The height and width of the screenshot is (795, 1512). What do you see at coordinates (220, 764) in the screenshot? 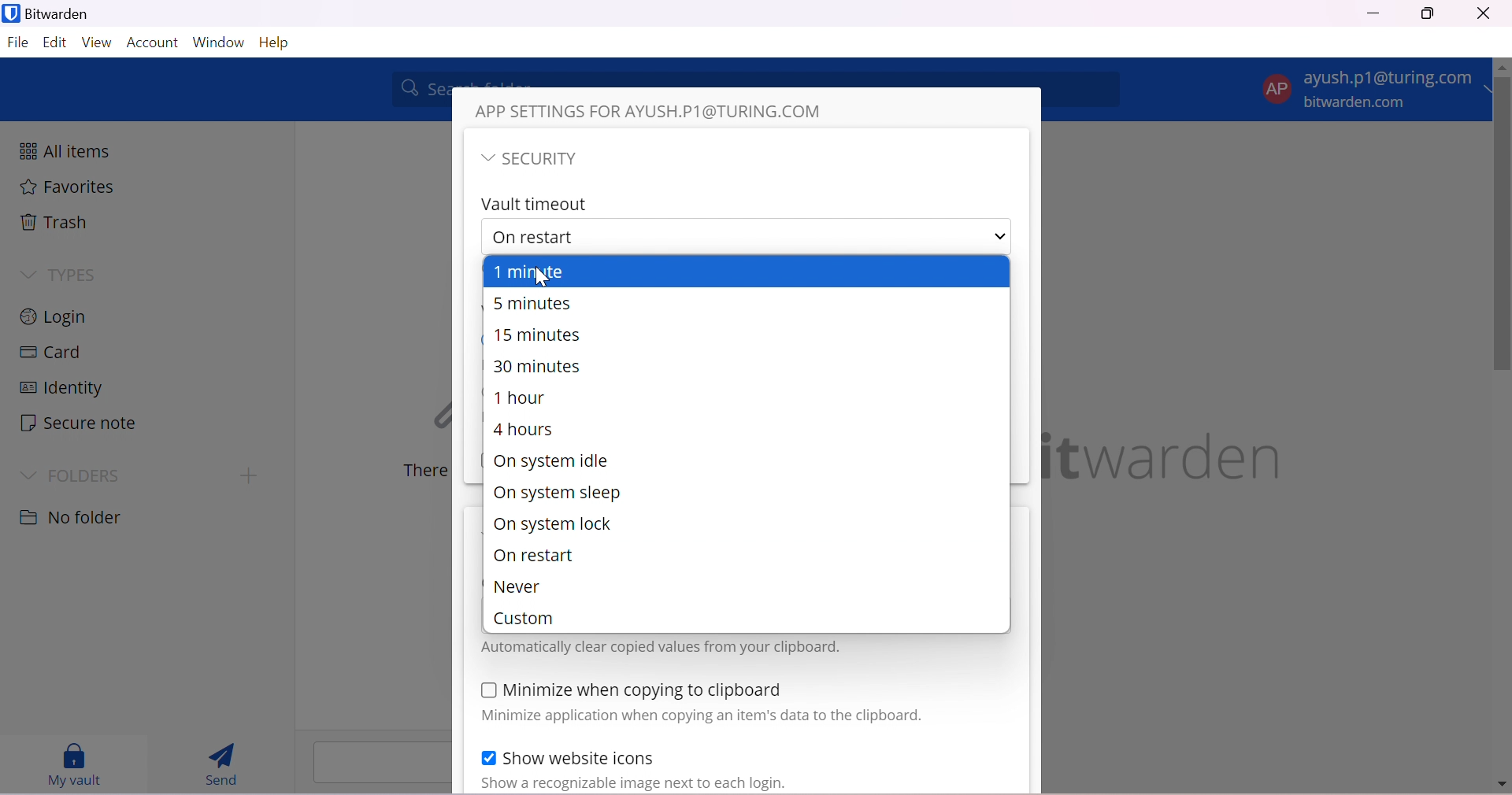
I see `Send` at bounding box center [220, 764].